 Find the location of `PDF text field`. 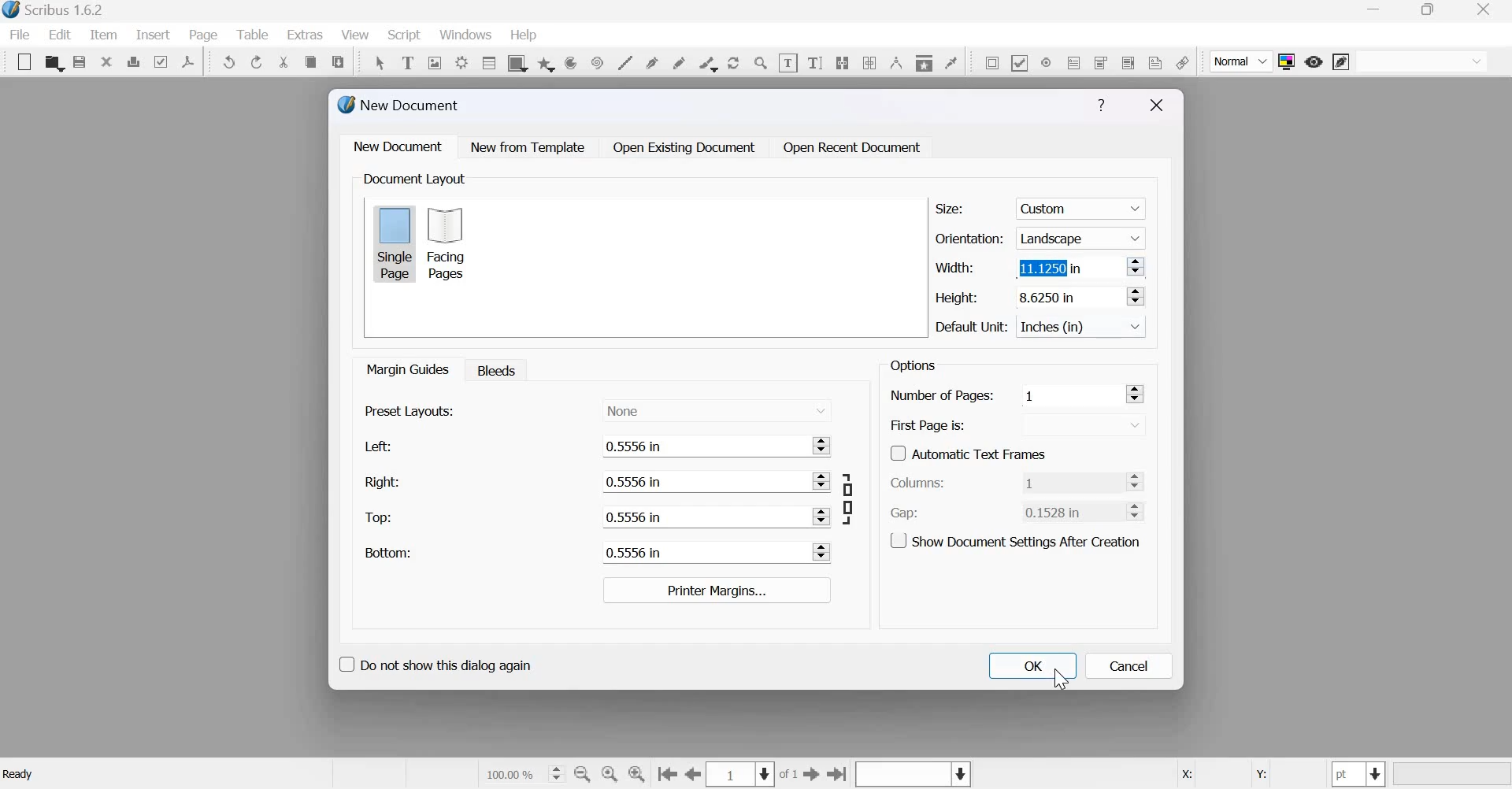

PDF text field is located at coordinates (1074, 61).